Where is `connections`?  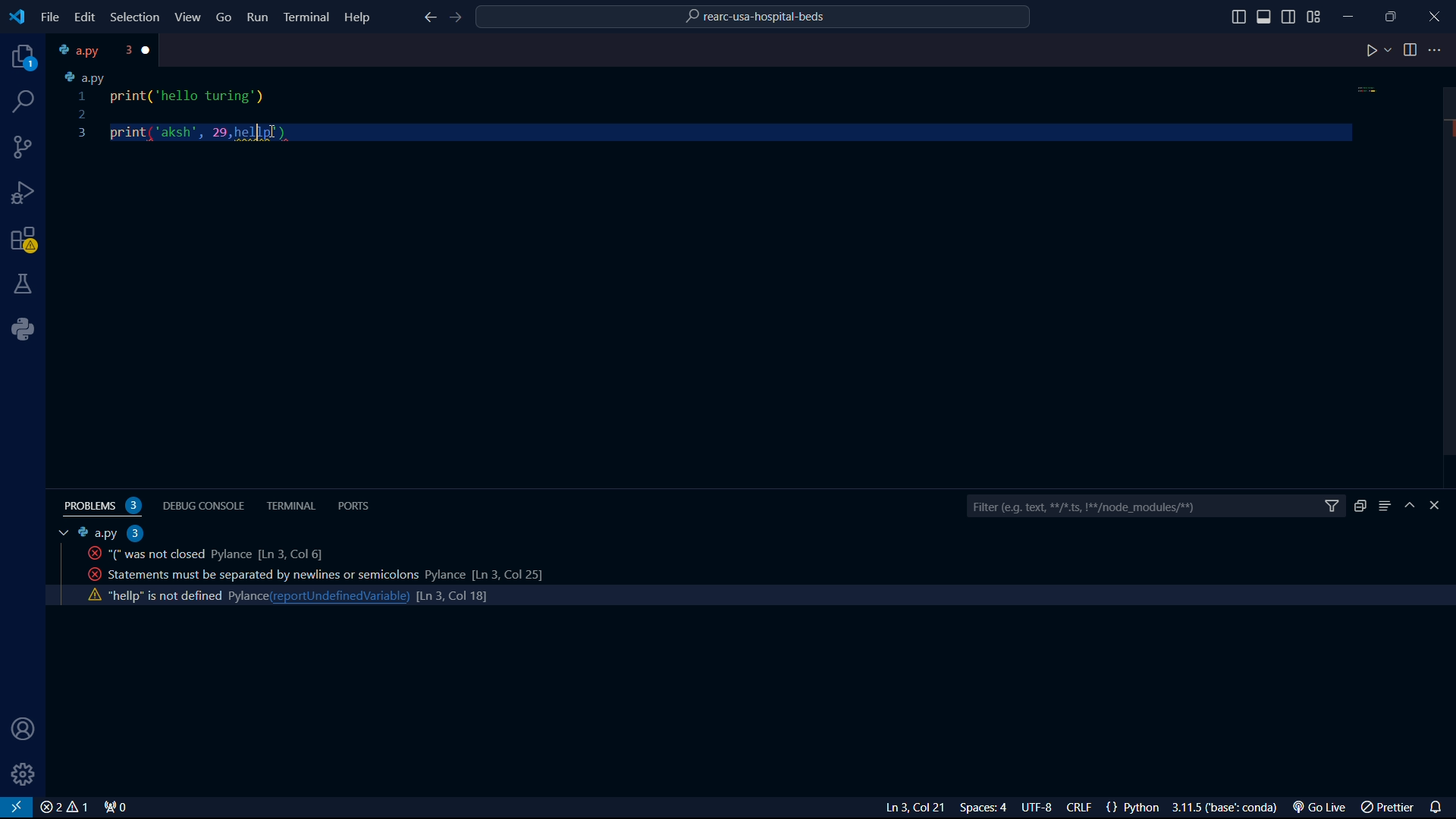
connections is located at coordinates (24, 147).